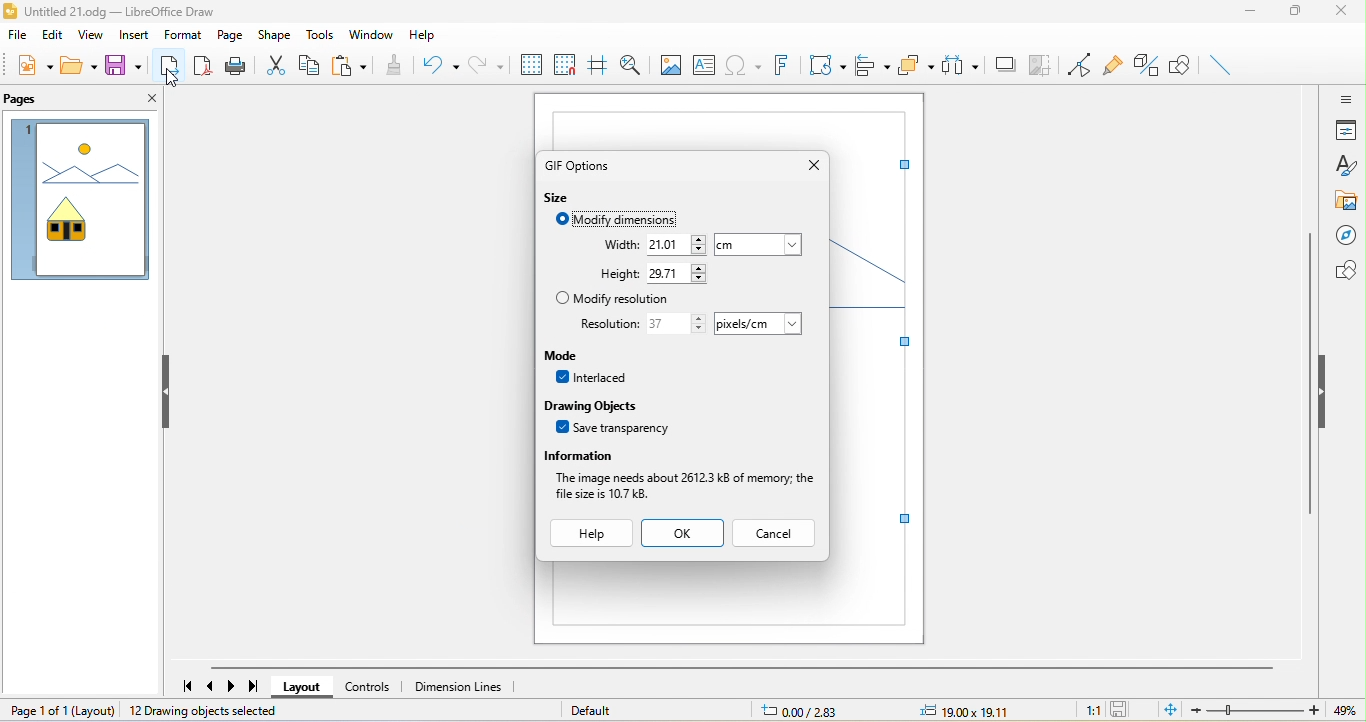 The width and height of the screenshot is (1366, 722). I want to click on close, so click(145, 102).